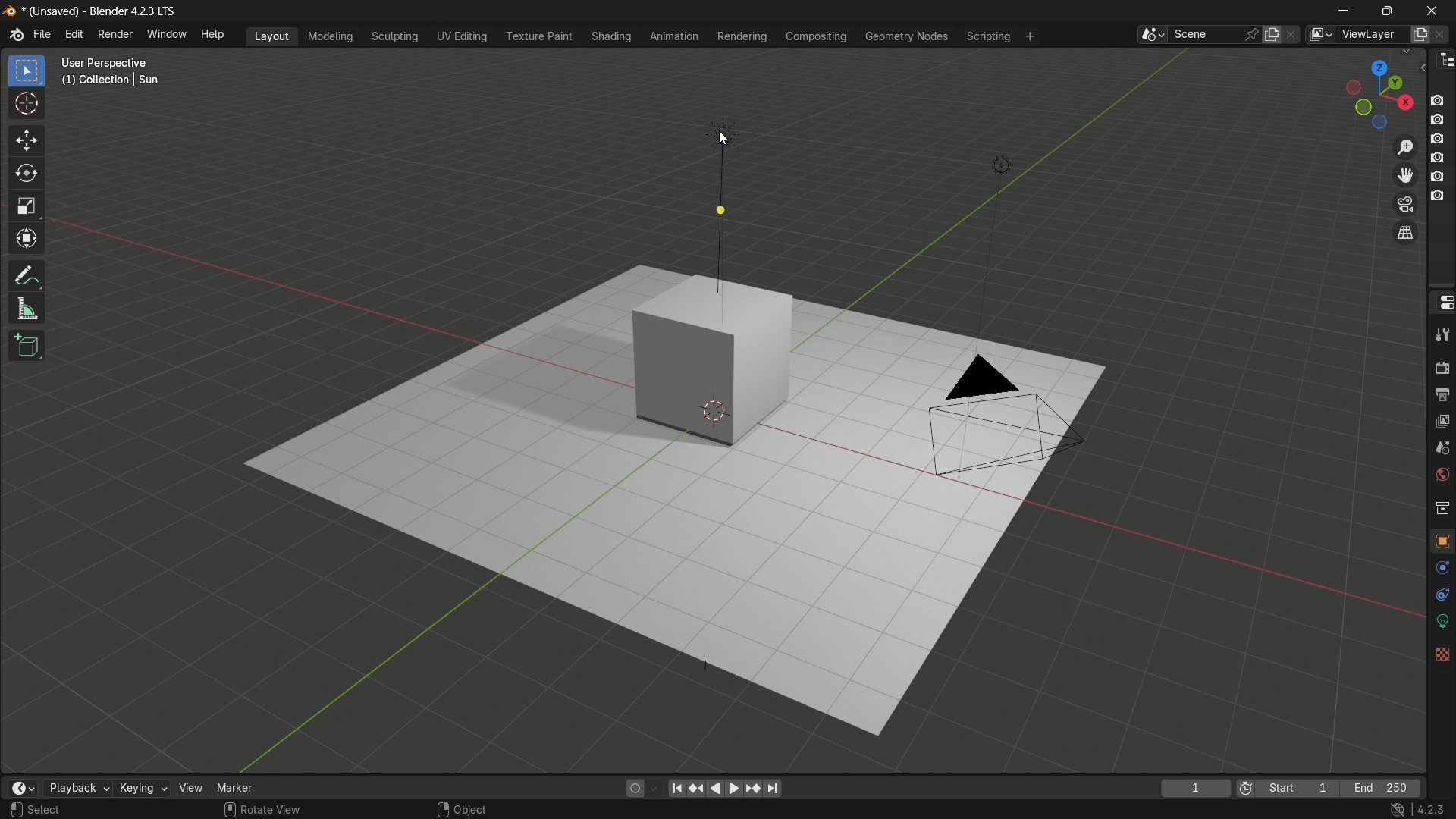  Describe the element at coordinates (272, 810) in the screenshot. I see `rotate view` at that location.